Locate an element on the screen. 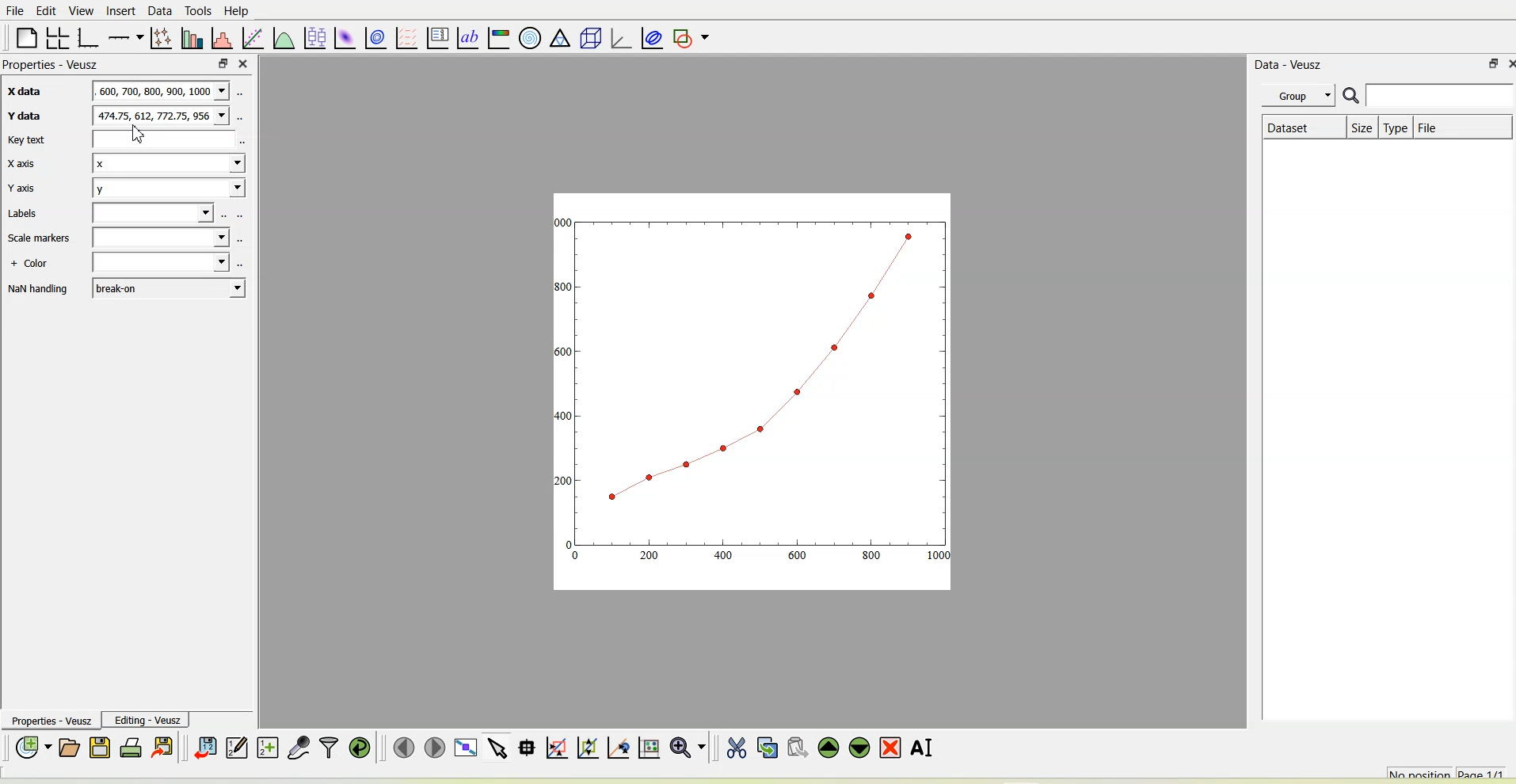  y is located at coordinates (169, 188).